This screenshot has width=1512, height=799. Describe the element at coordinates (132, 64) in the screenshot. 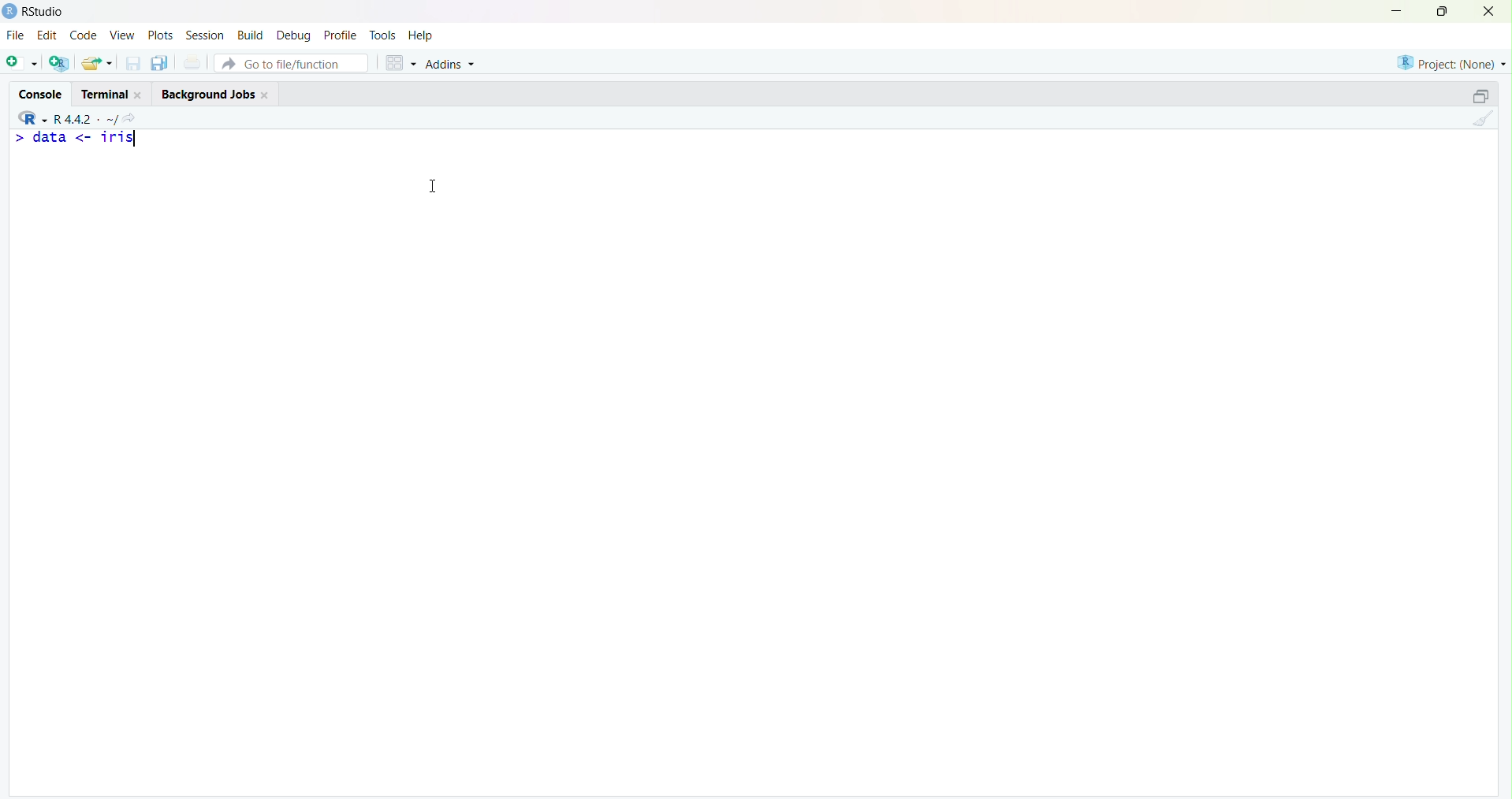

I see `Save current document (Ctrl + S)` at that location.